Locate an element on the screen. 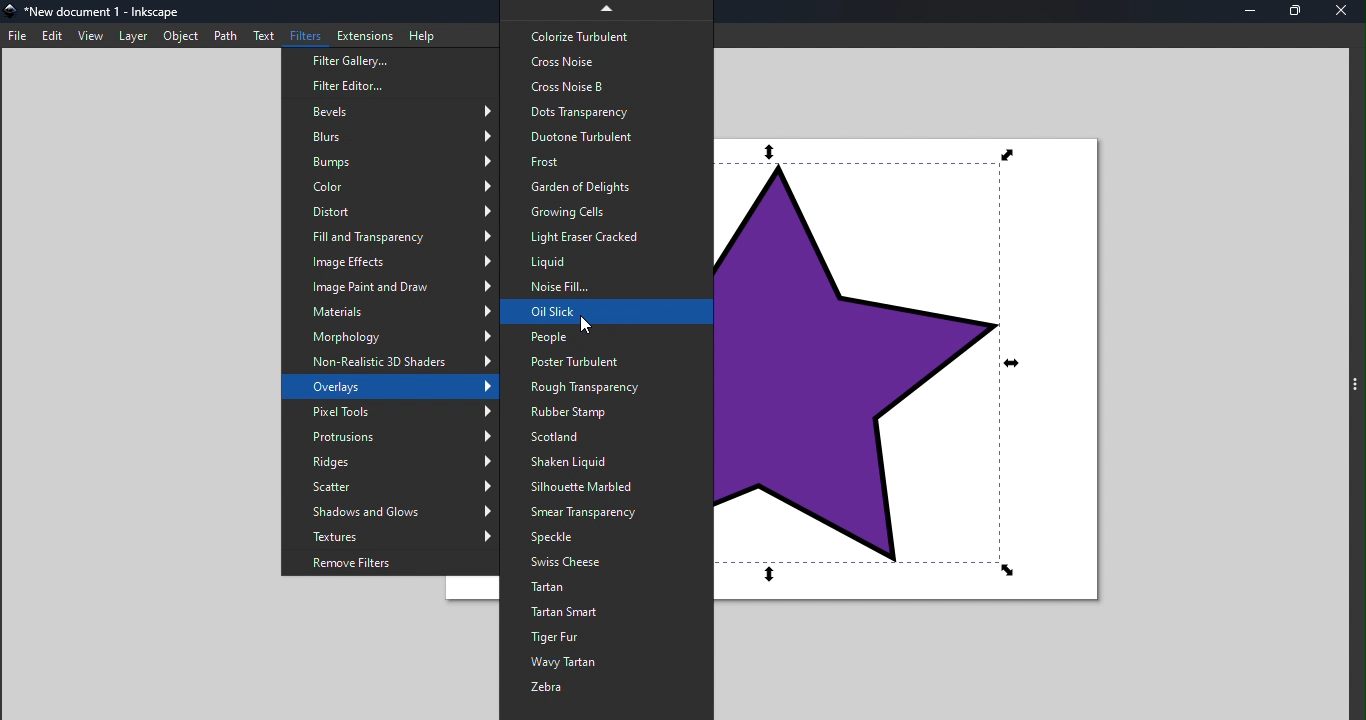 This screenshot has width=1366, height=720. Image effect is located at coordinates (388, 263).